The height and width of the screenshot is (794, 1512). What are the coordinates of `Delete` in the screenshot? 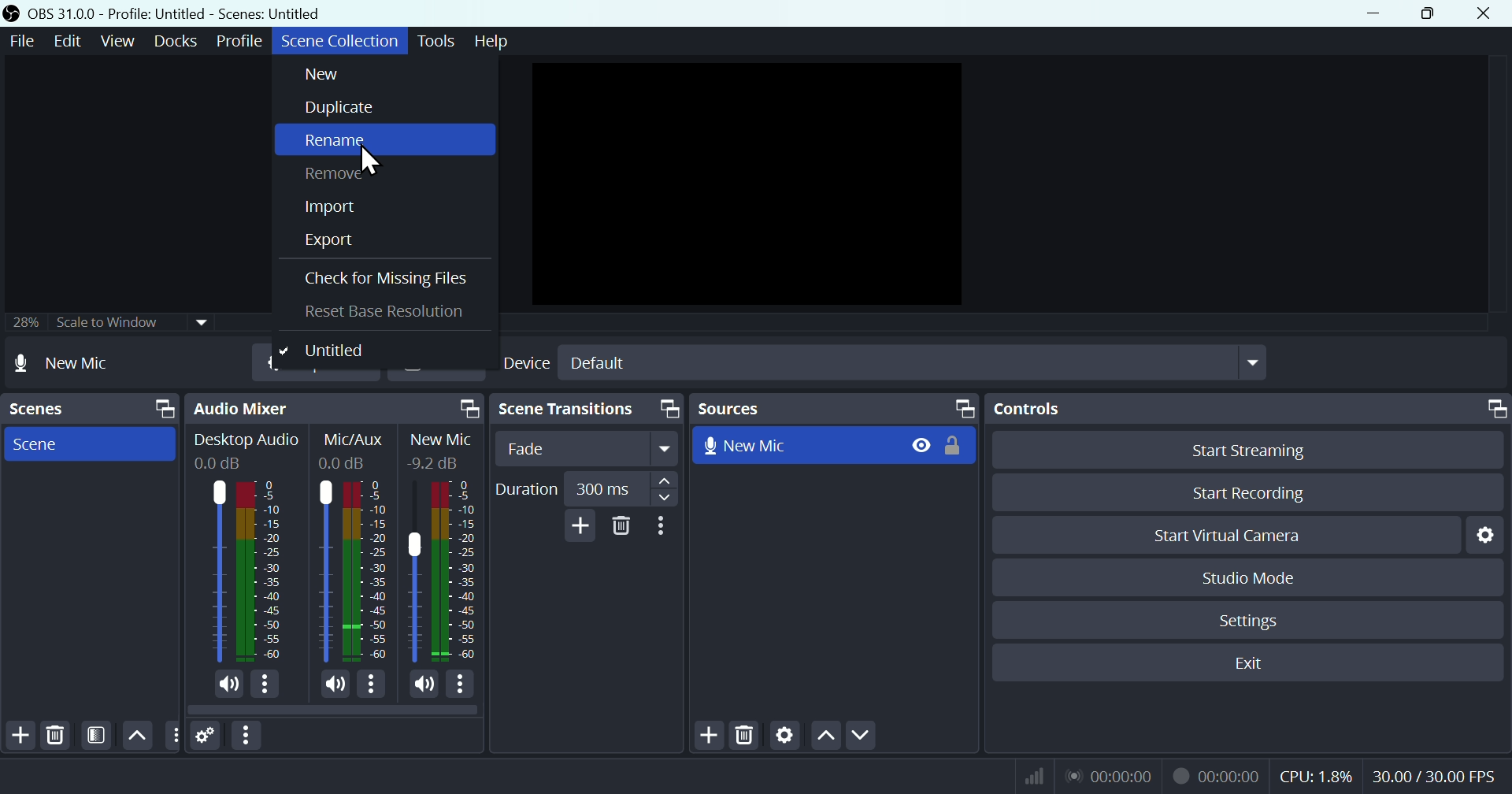 It's located at (621, 529).